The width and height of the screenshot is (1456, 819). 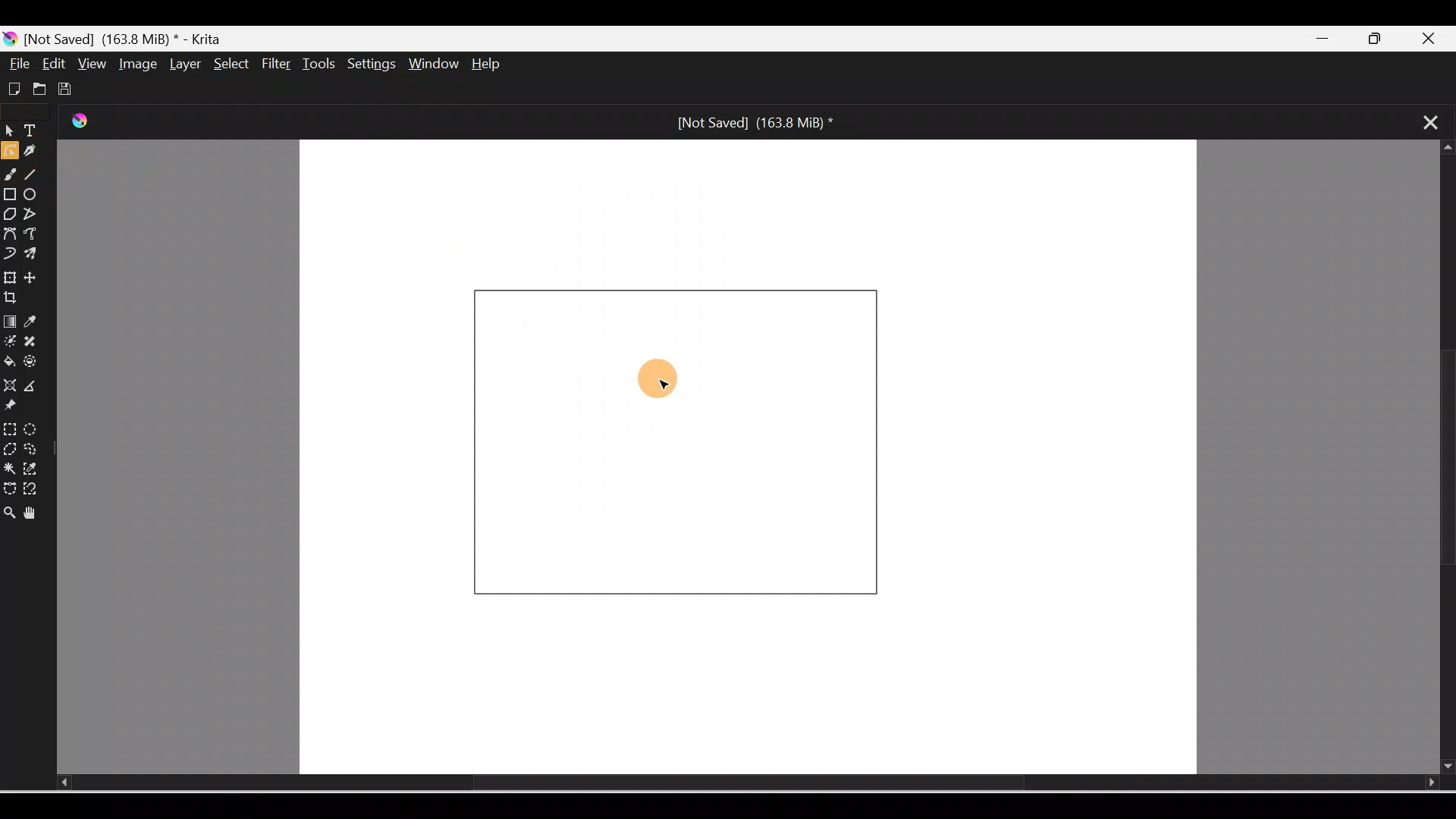 What do you see at coordinates (36, 177) in the screenshot?
I see `Line` at bounding box center [36, 177].